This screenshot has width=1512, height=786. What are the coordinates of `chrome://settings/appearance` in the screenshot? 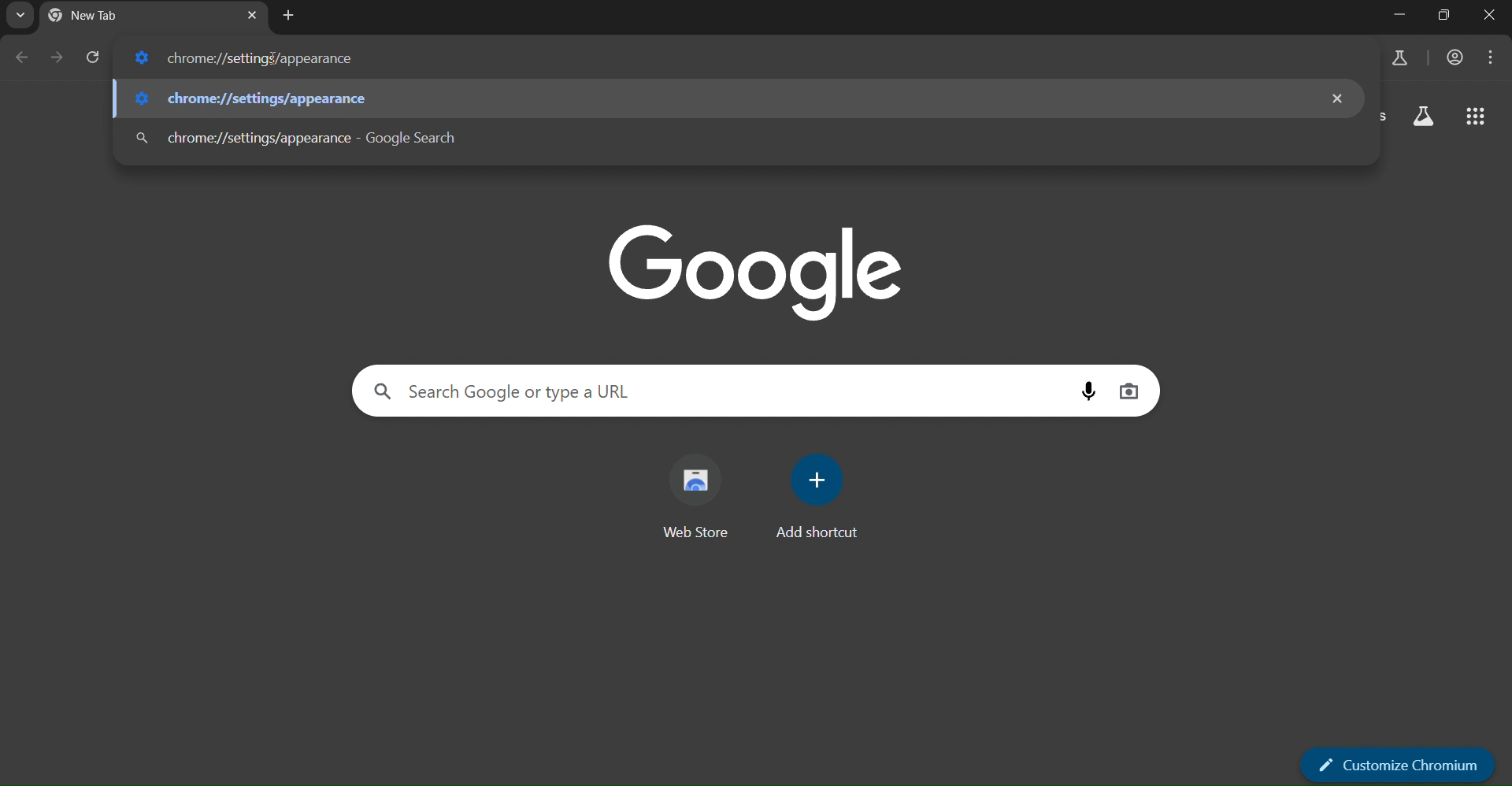 It's located at (255, 58).